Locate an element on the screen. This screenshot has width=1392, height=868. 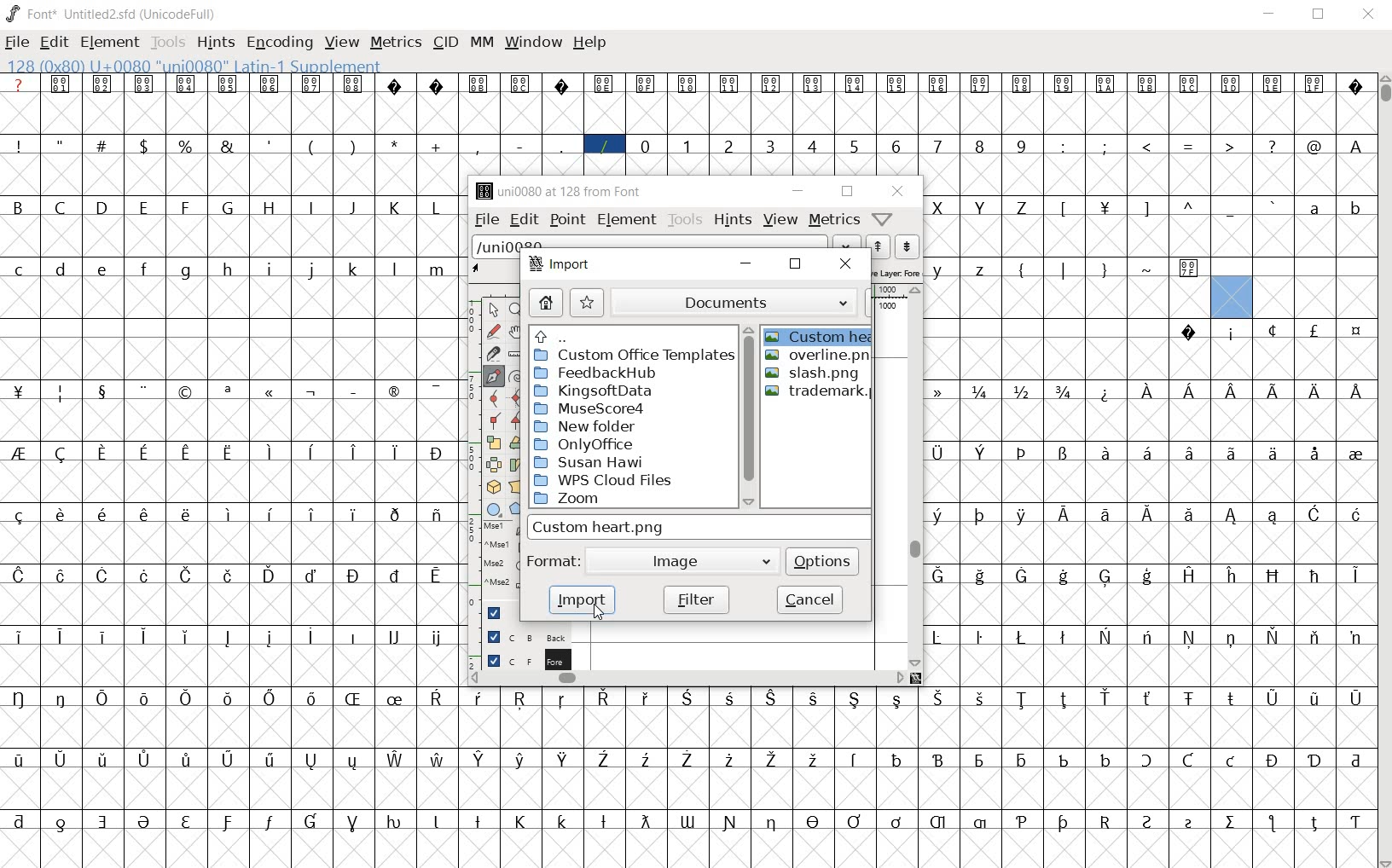
glyph is located at coordinates (896, 822).